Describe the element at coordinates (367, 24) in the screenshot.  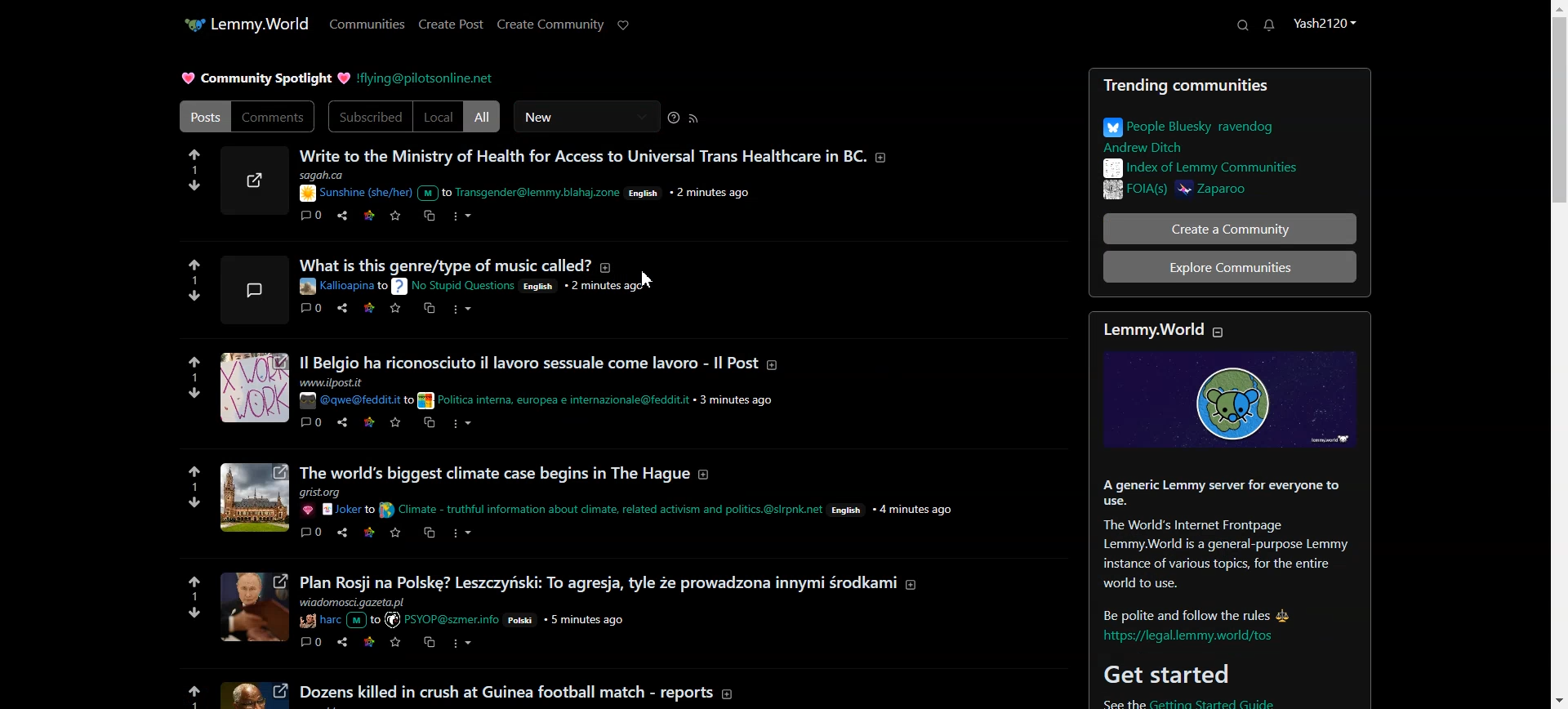
I see `Communities` at that location.